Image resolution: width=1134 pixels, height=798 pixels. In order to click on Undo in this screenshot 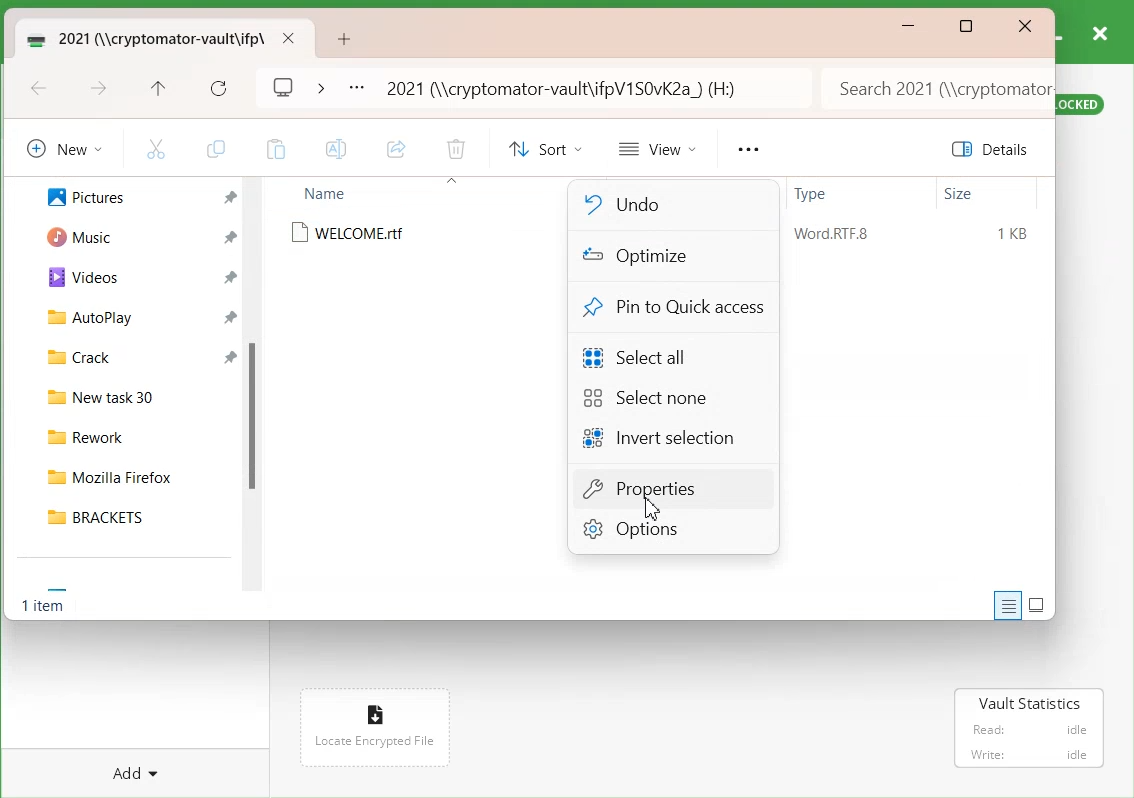, I will do `click(659, 204)`.